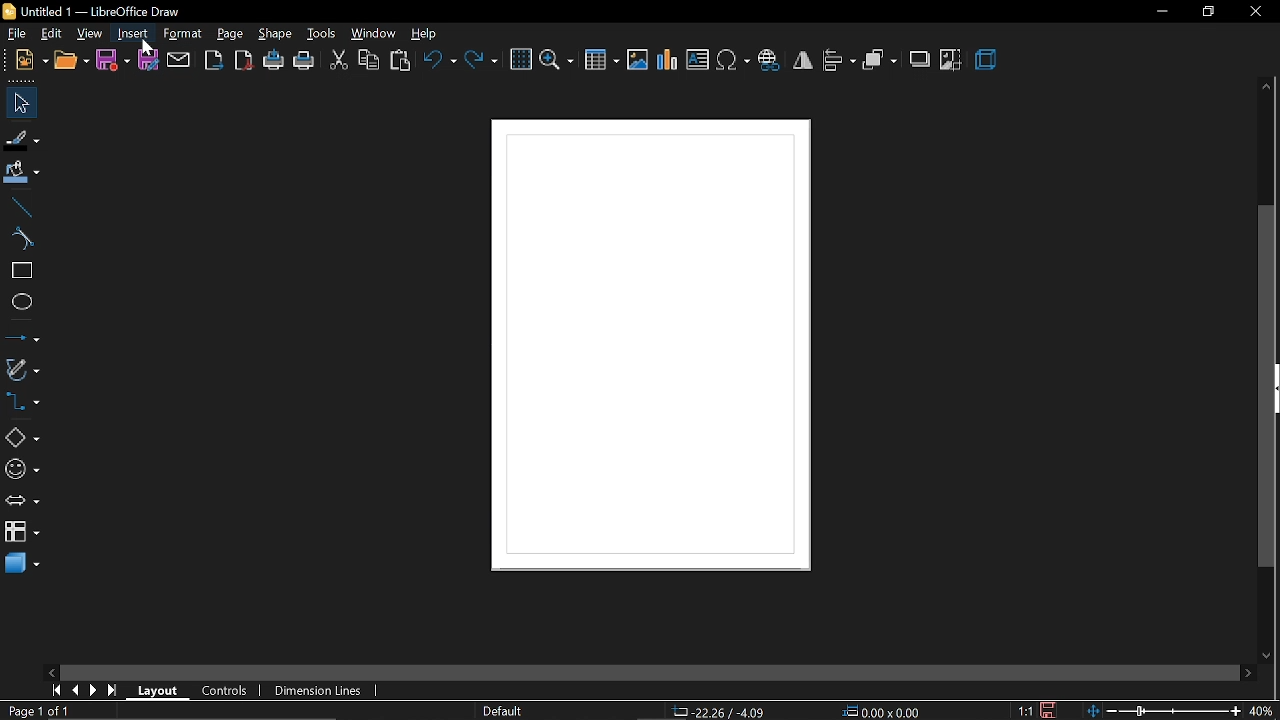 This screenshot has height=720, width=1280. I want to click on save as, so click(149, 60).